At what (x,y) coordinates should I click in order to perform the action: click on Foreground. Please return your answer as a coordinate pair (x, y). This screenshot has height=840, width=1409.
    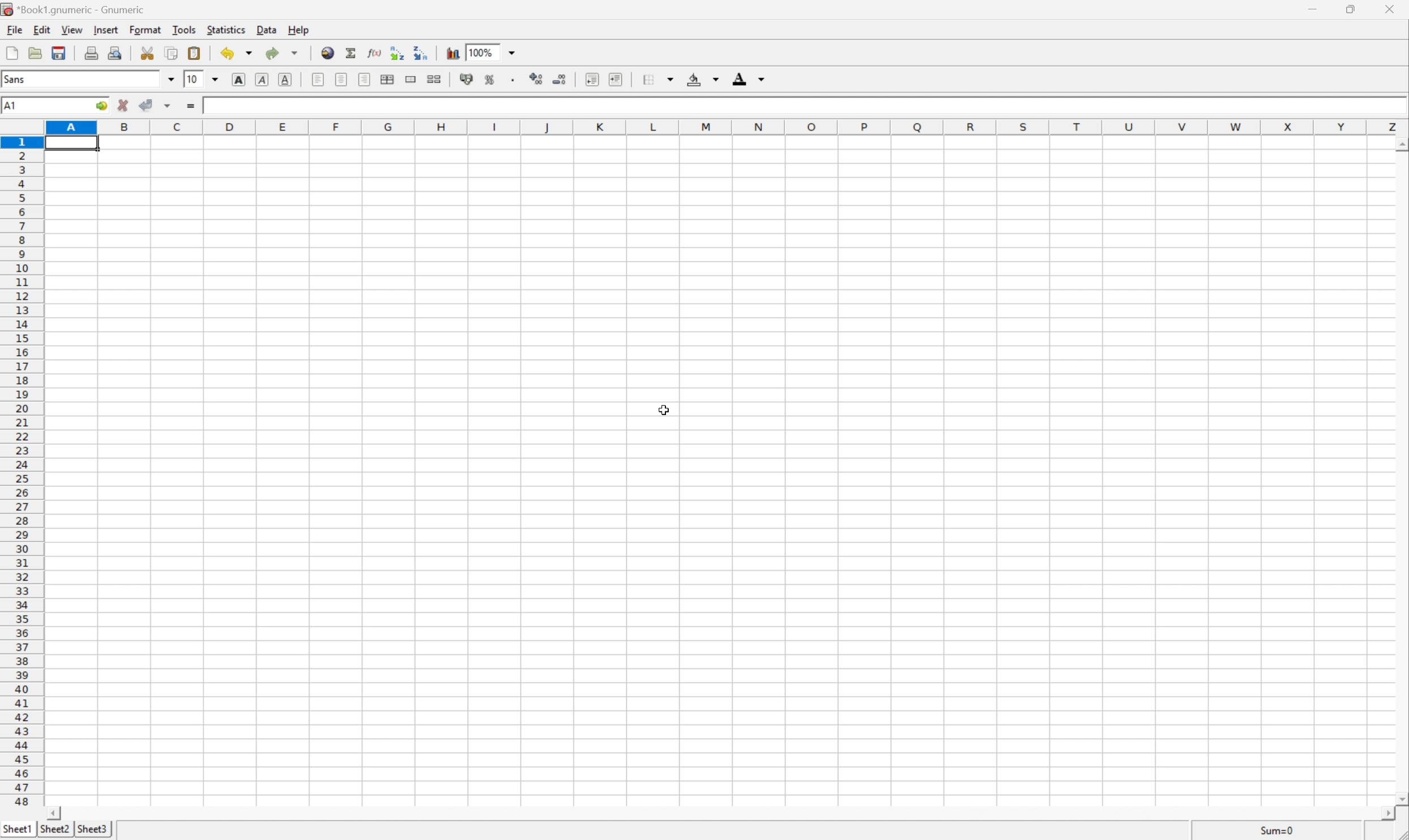
    Looking at the image, I should click on (749, 78).